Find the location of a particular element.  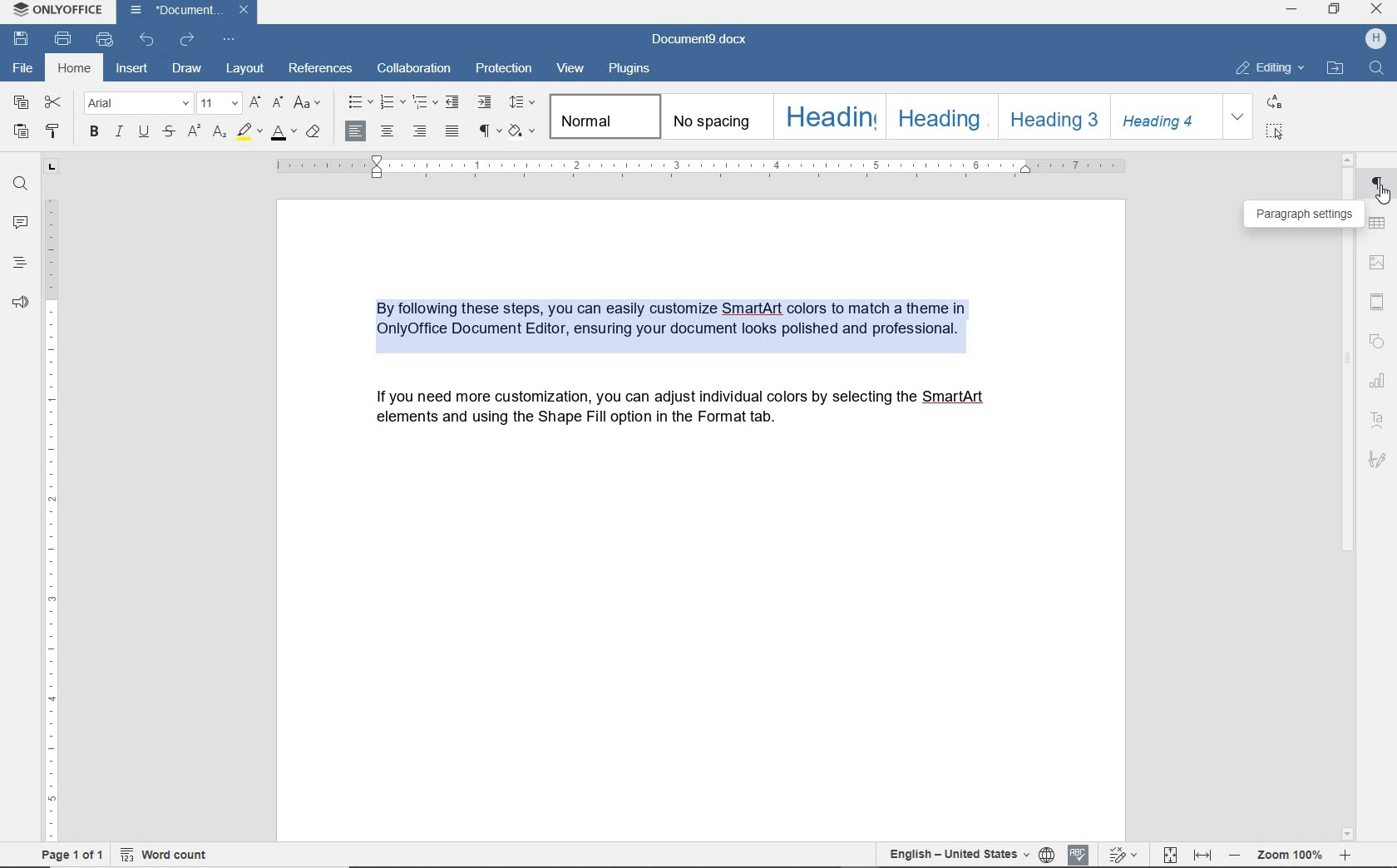

comments is located at coordinates (20, 225).